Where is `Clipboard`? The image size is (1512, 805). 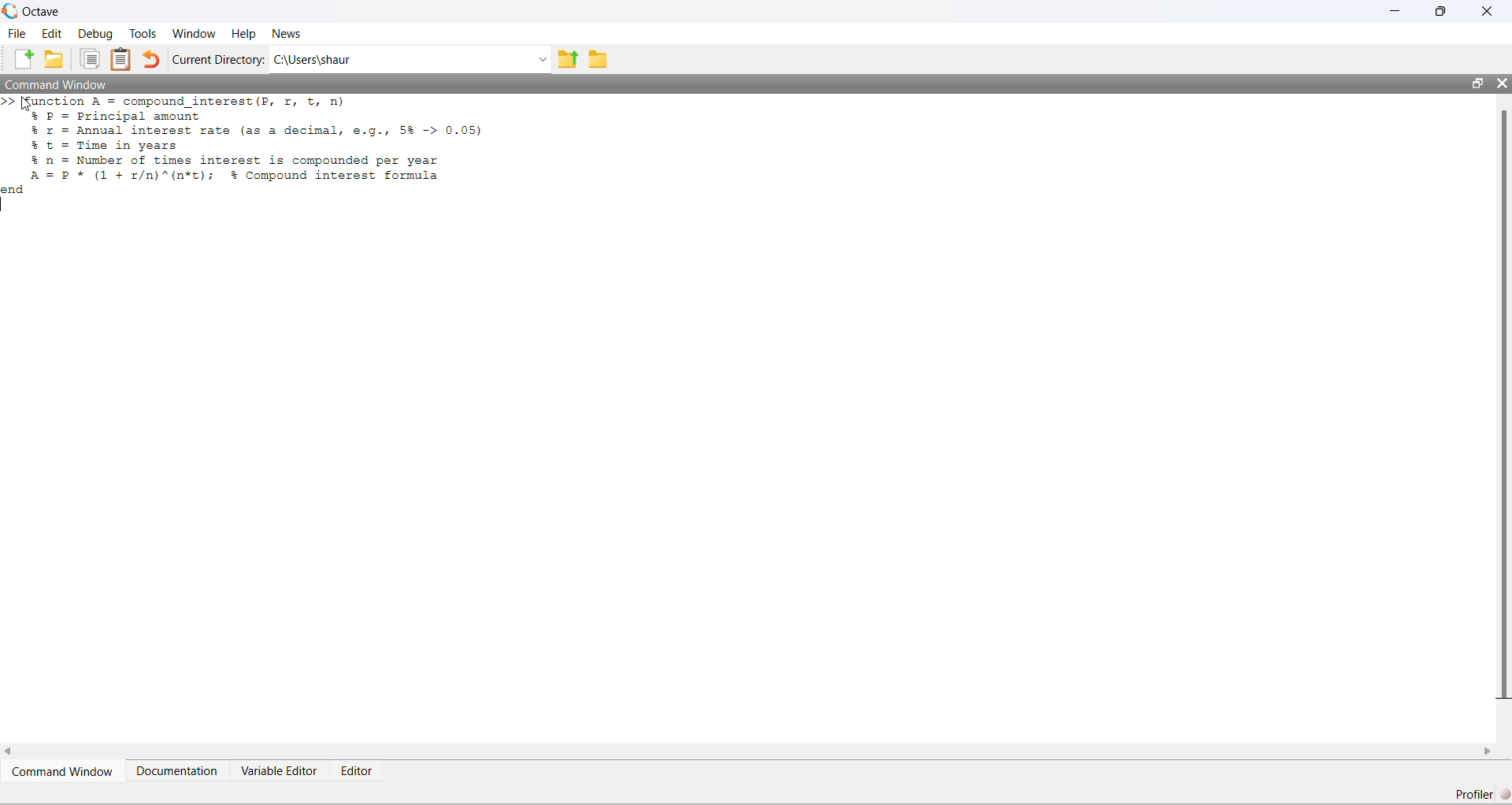 Clipboard is located at coordinates (120, 60).